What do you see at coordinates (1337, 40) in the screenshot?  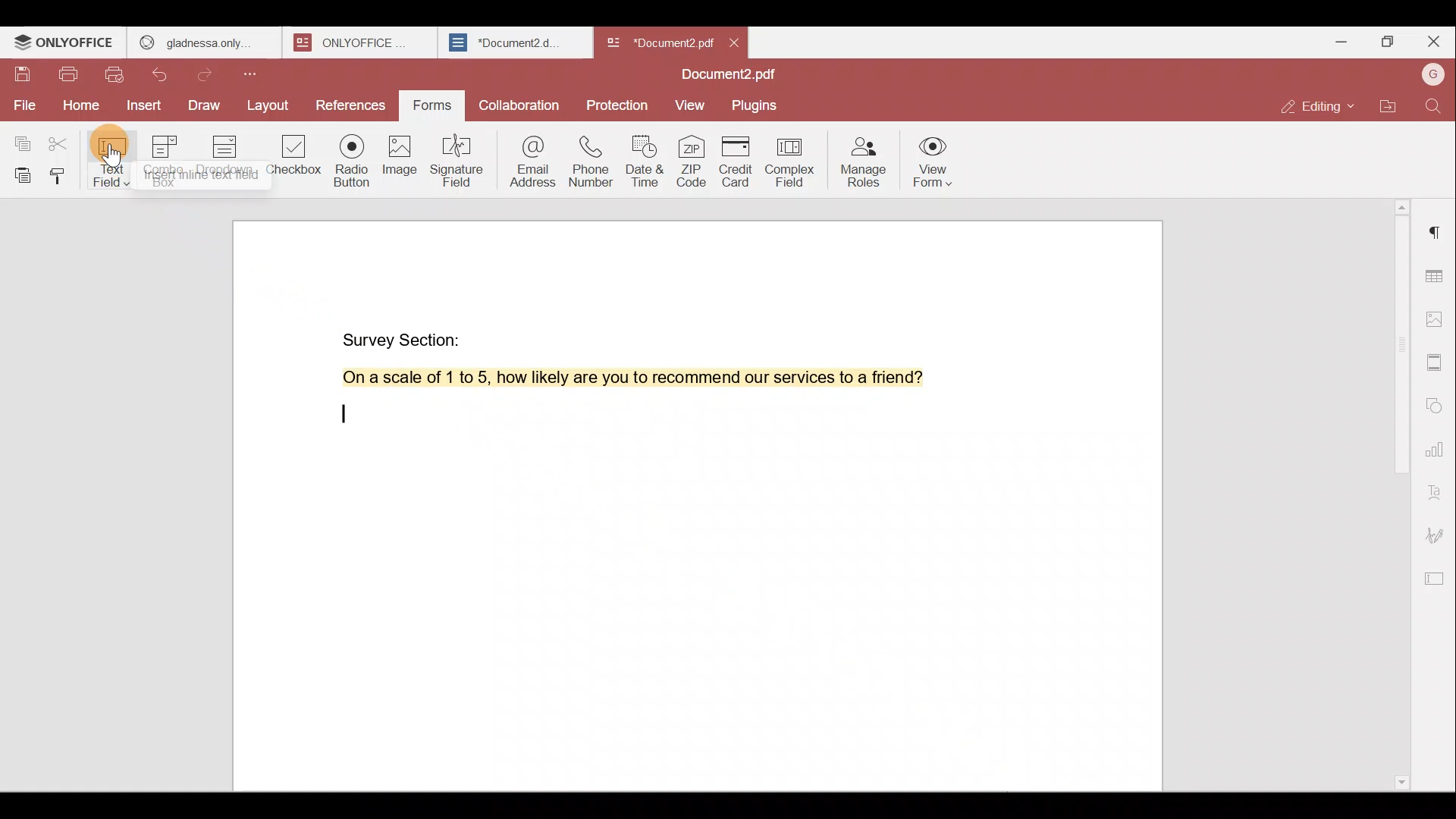 I see `Minimize` at bounding box center [1337, 40].